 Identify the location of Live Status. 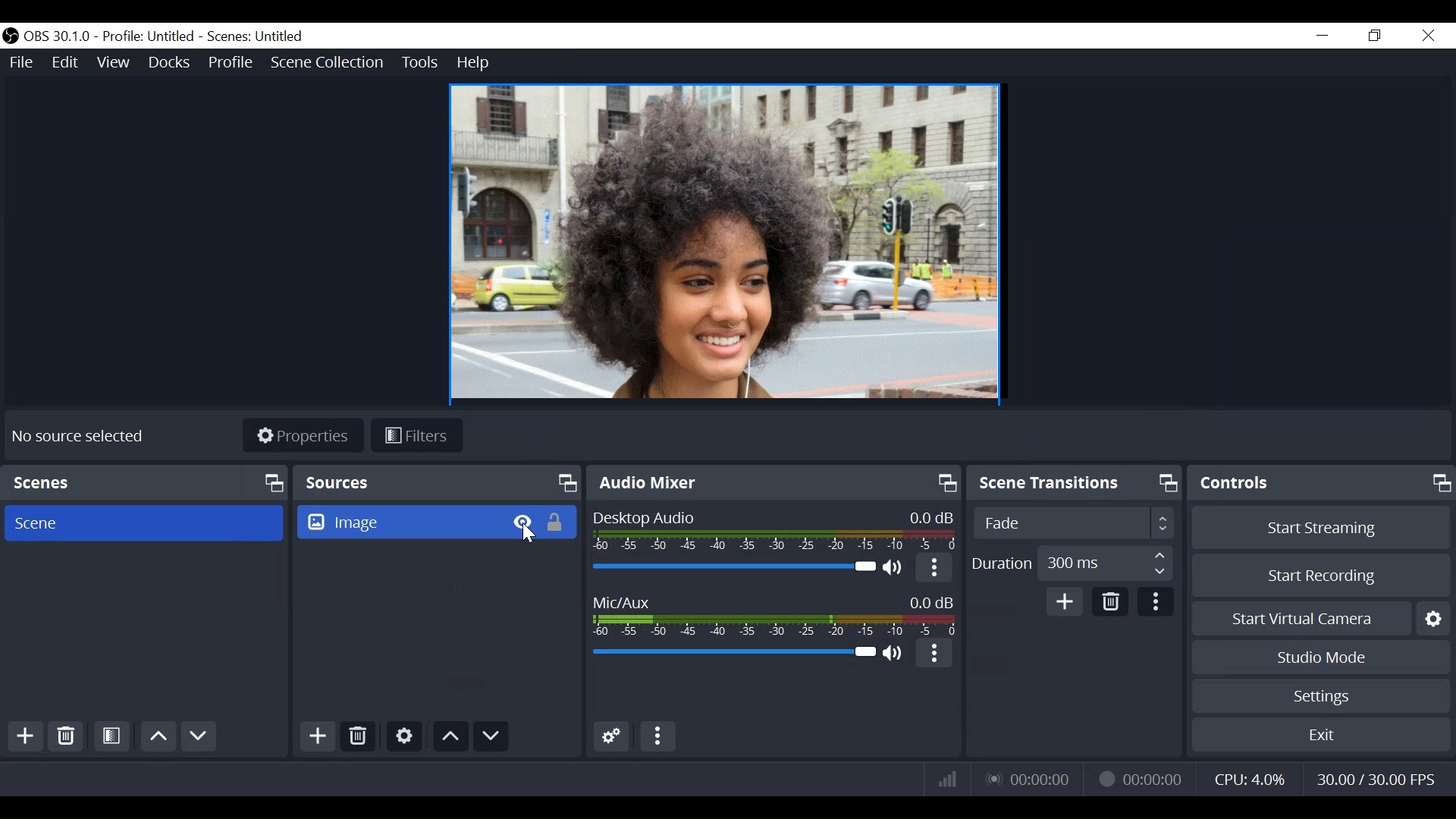
(1030, 780).